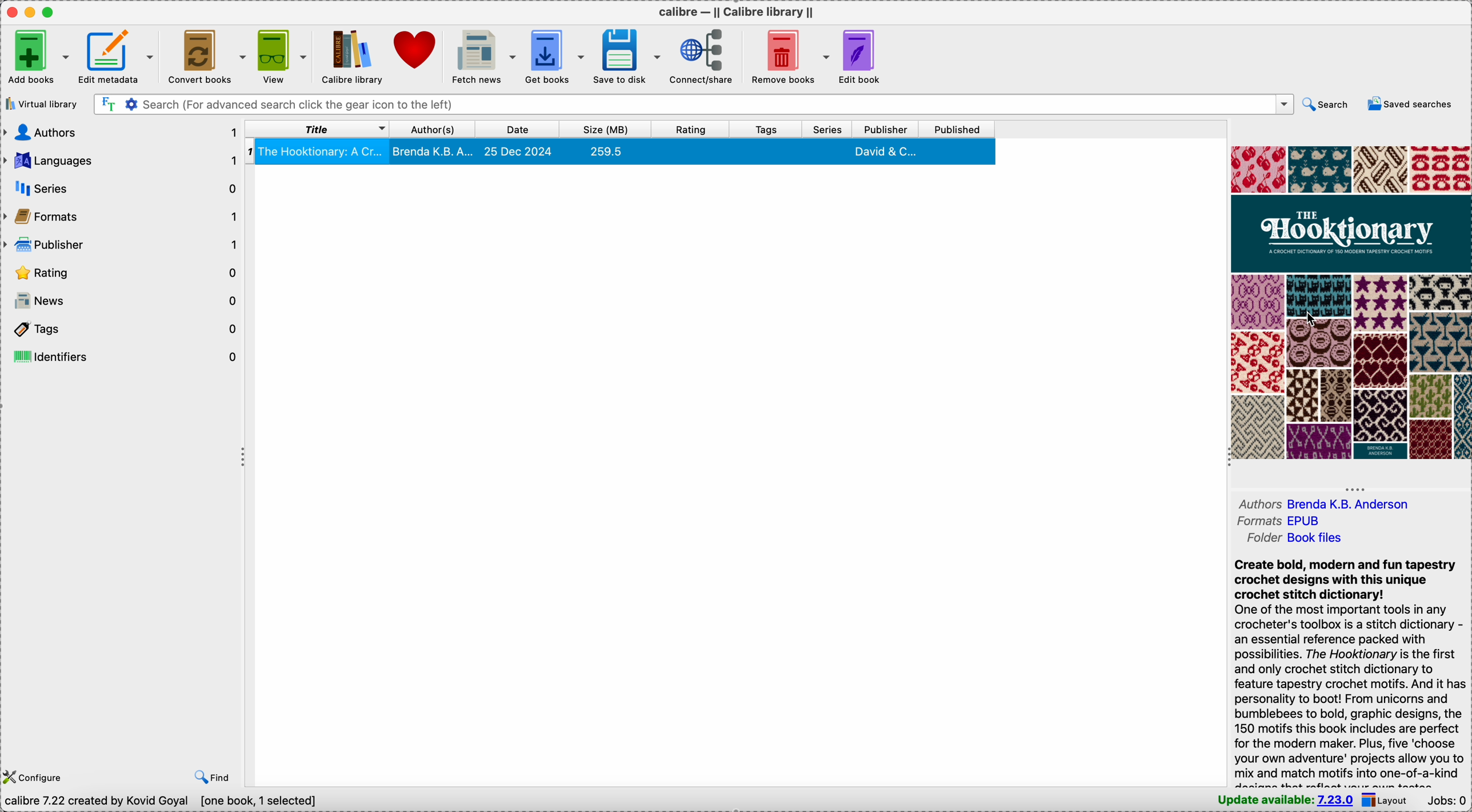 The width and height of the screenshot is (1472, 812). What do you see at coordinates (958, 129) in the screenshot?
I see `published` at bounding box center [958, 129].